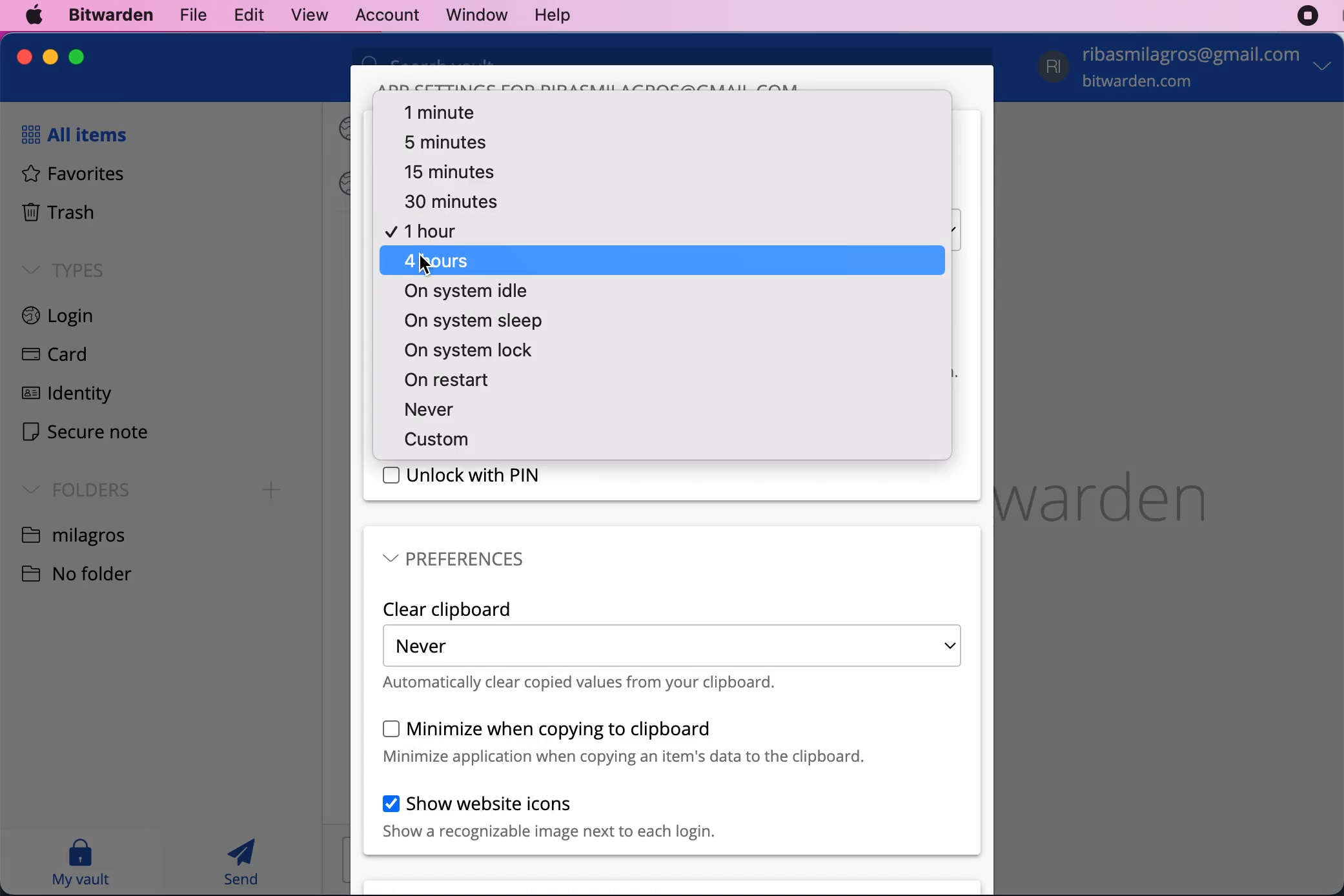 This screenshot has height=896, width=1344. What do you see at coordinates (448, 142) in the screenshot?
I see `5 minutes` at bounding box center [448, 142].